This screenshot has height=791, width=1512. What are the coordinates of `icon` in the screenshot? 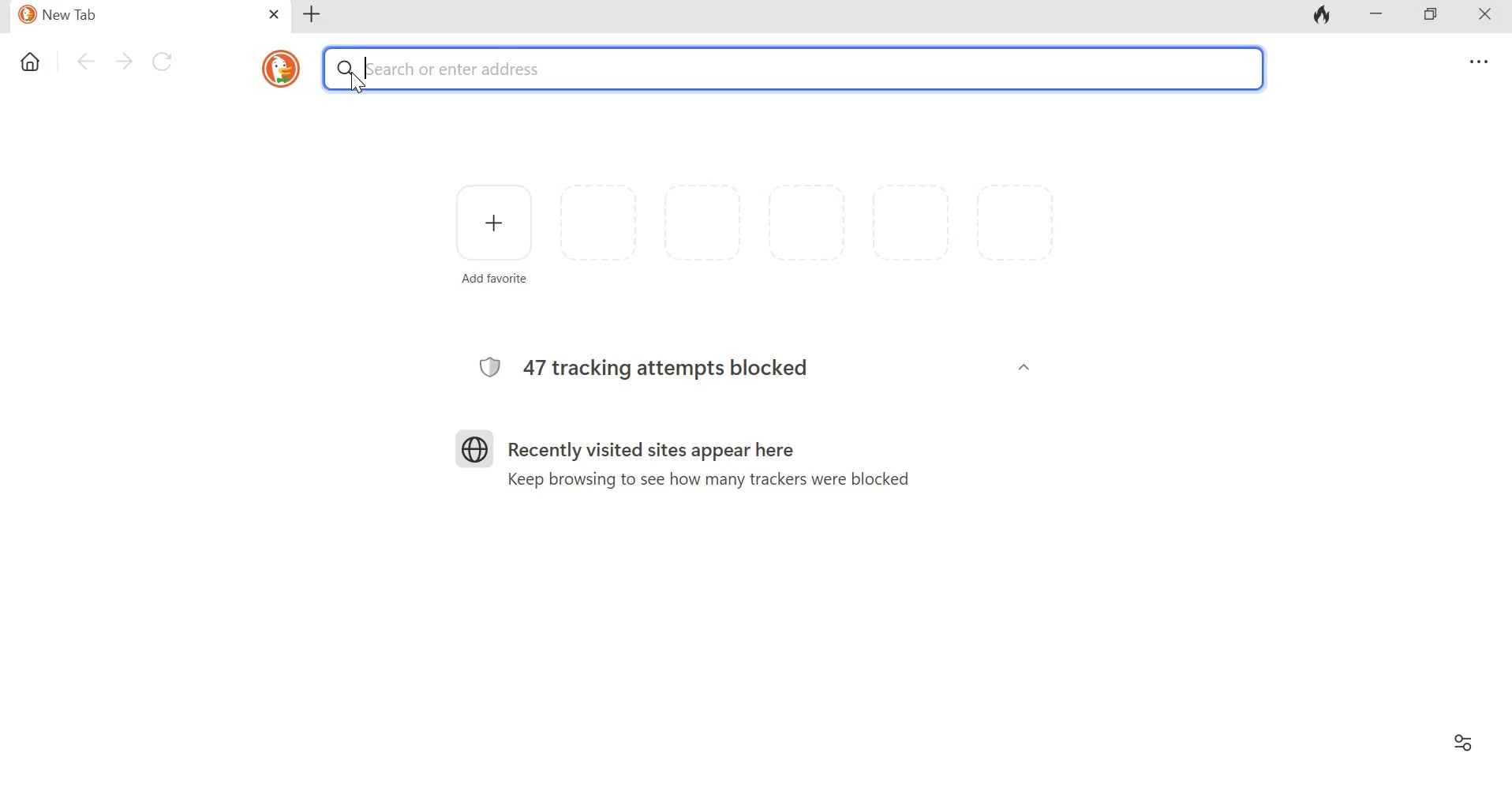 It's located at (279, 69).